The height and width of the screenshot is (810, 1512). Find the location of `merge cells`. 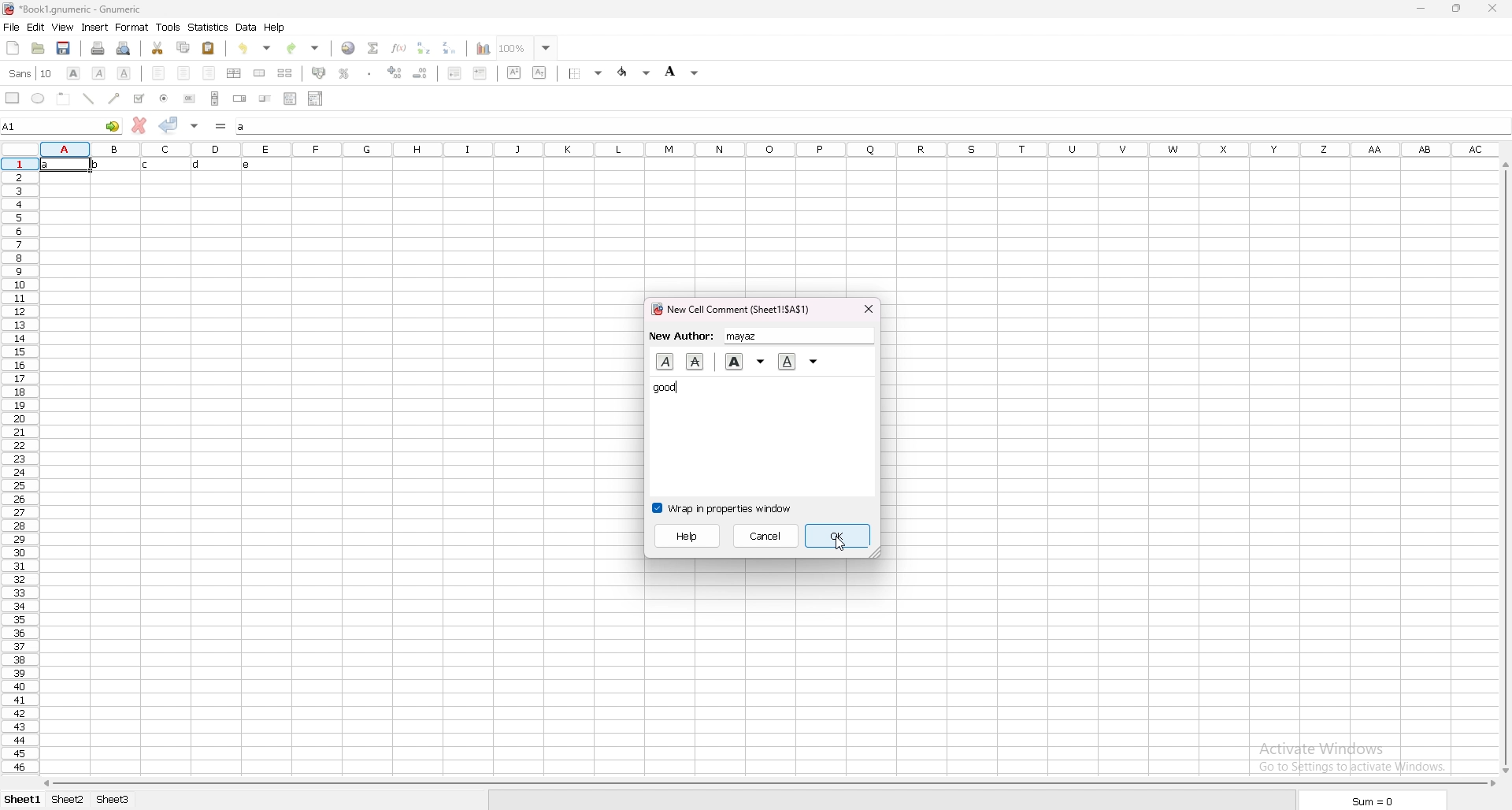

merge cells is located at coordinates (259, 72).